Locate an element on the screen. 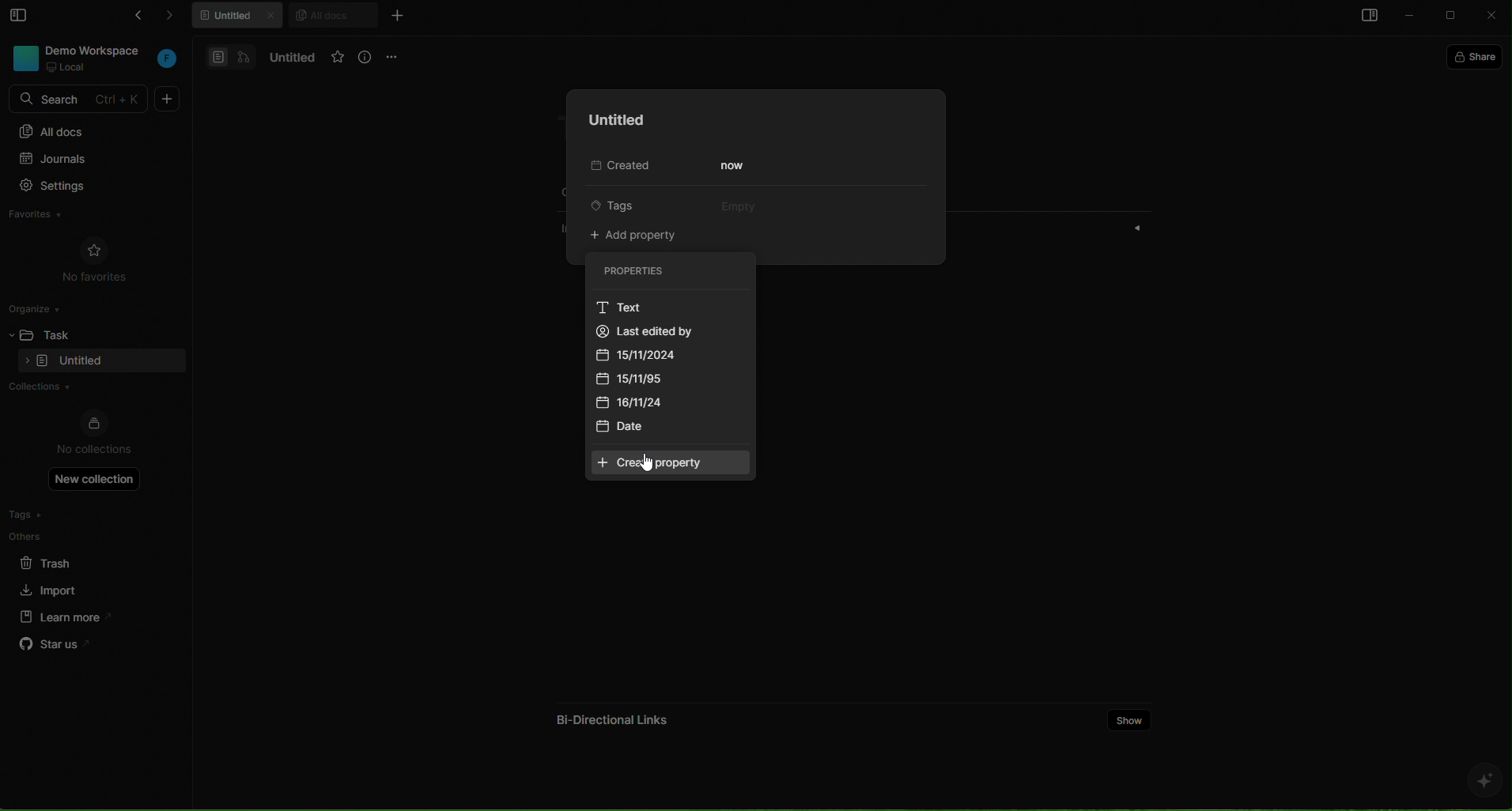  Create property is located at coordinates (671, 463).